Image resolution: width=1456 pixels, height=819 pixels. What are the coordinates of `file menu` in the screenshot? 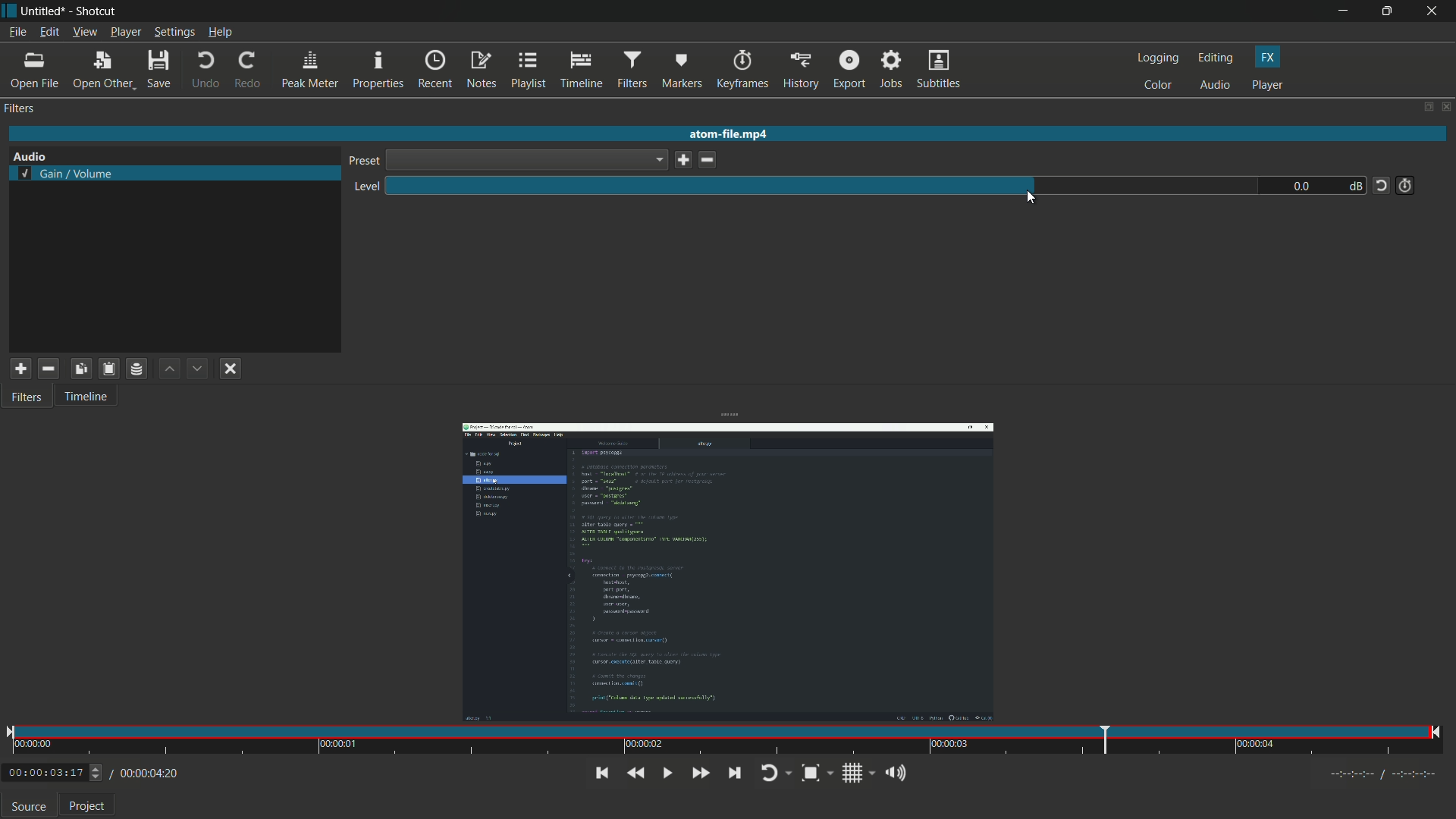 It's located at (17, 32).